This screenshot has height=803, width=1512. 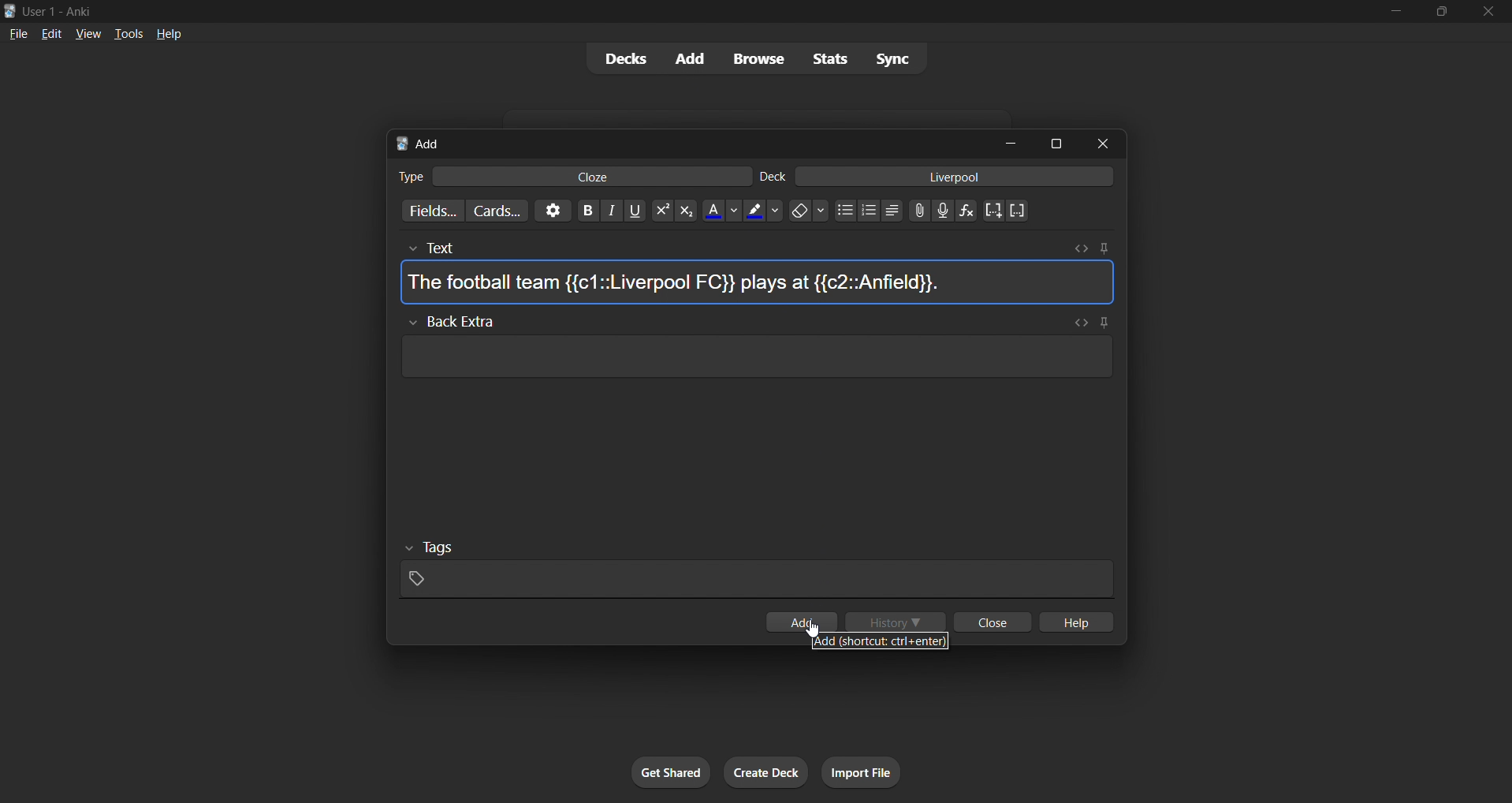 What do you see at coordinates (1074, 622) in the screenshot?
I see `help` at bounding box center [1074, 622].